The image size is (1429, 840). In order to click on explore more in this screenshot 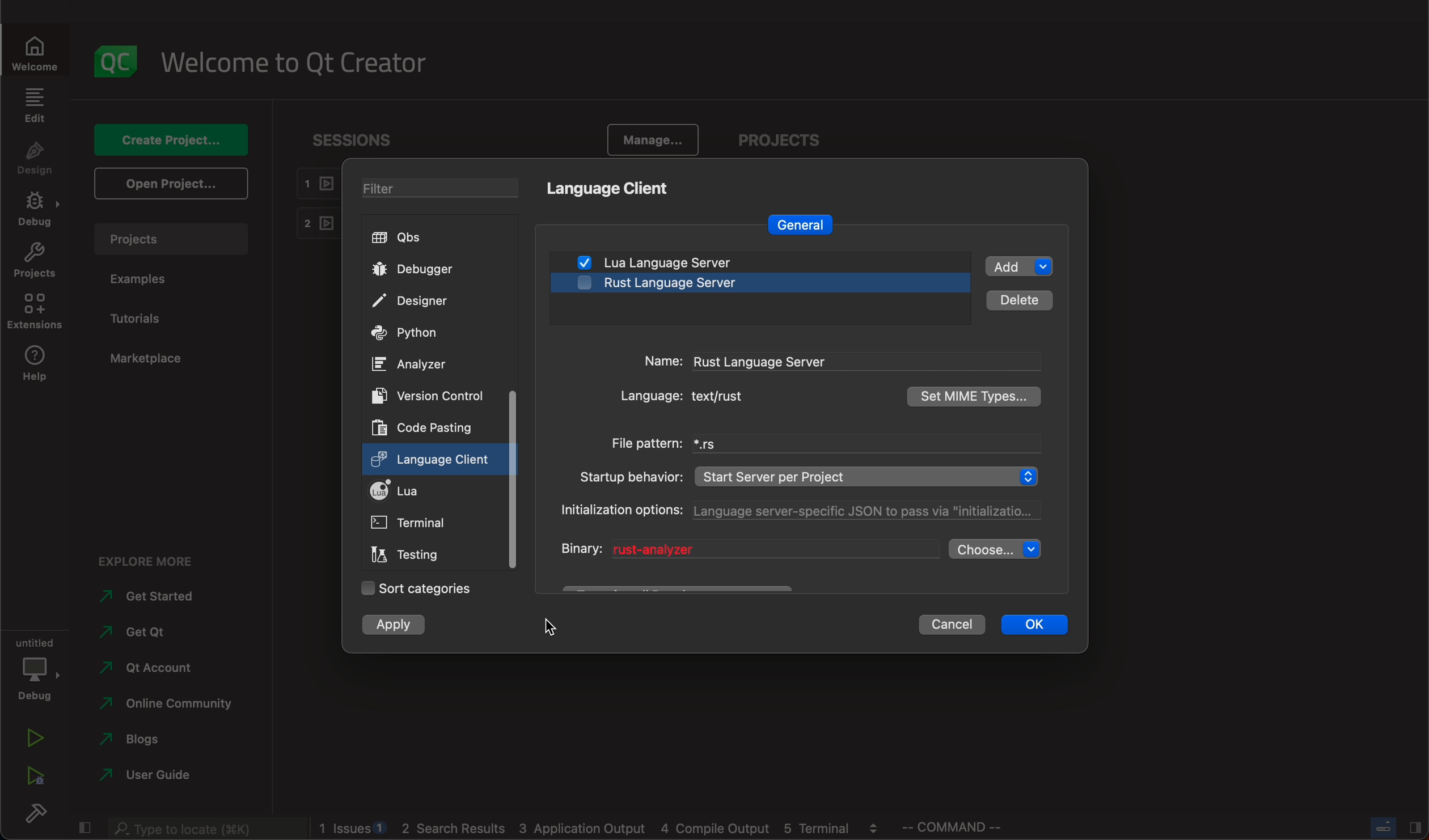, I will do `click(157, 559)`.